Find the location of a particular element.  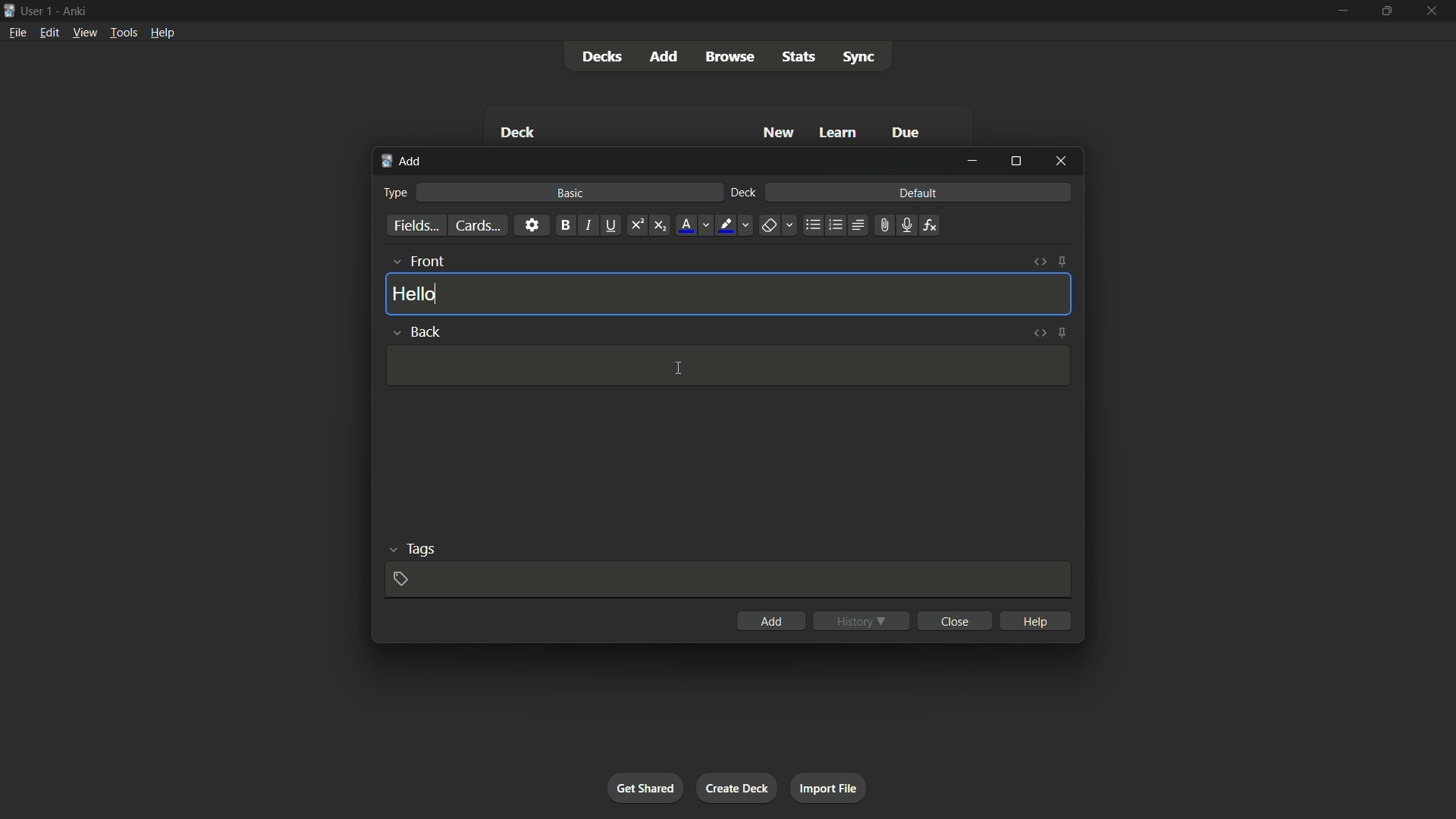

get shared is located at coordinates (645, 789).